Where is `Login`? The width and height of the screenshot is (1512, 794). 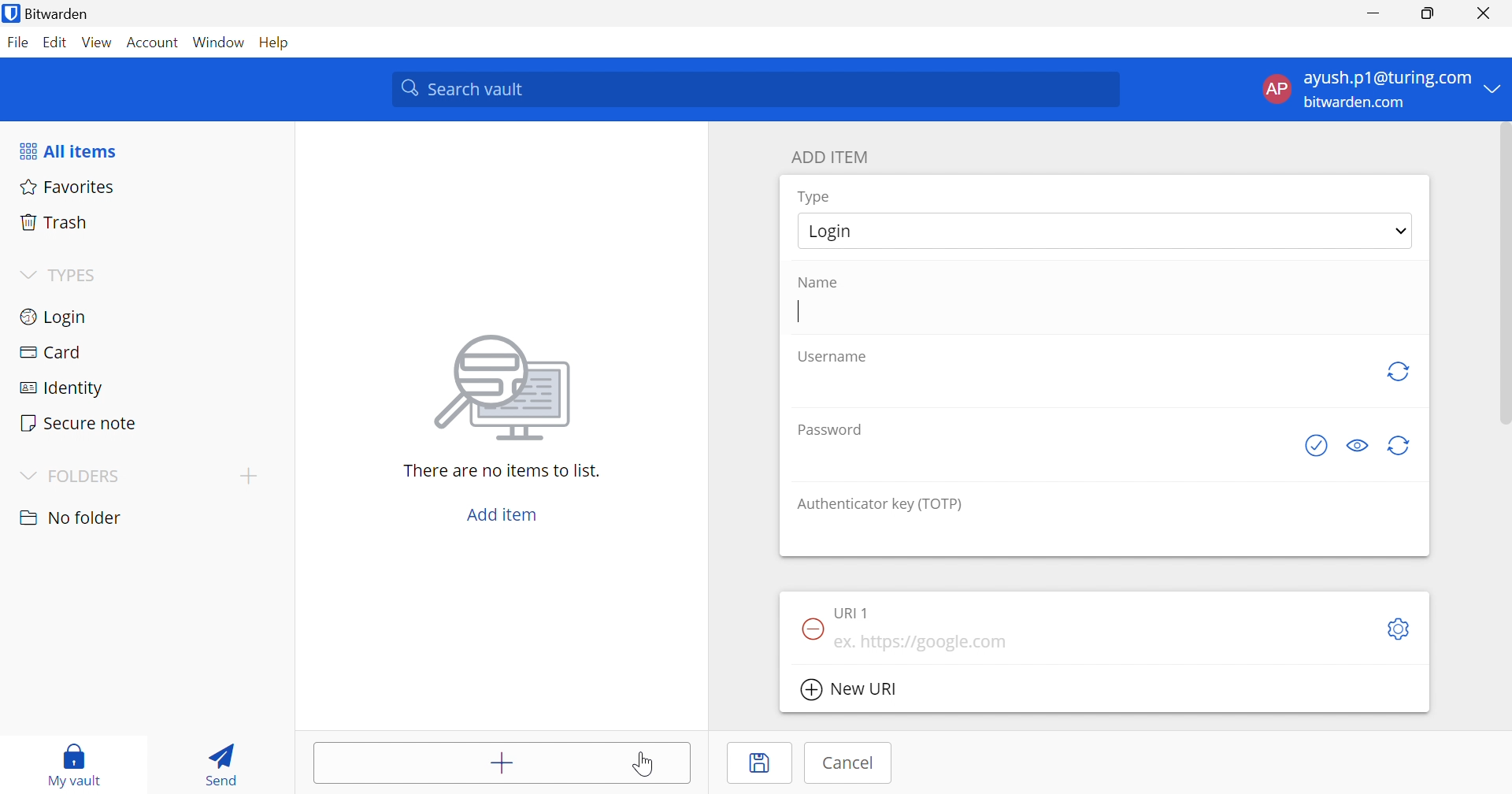 Login is located at coordinates (829, 232).